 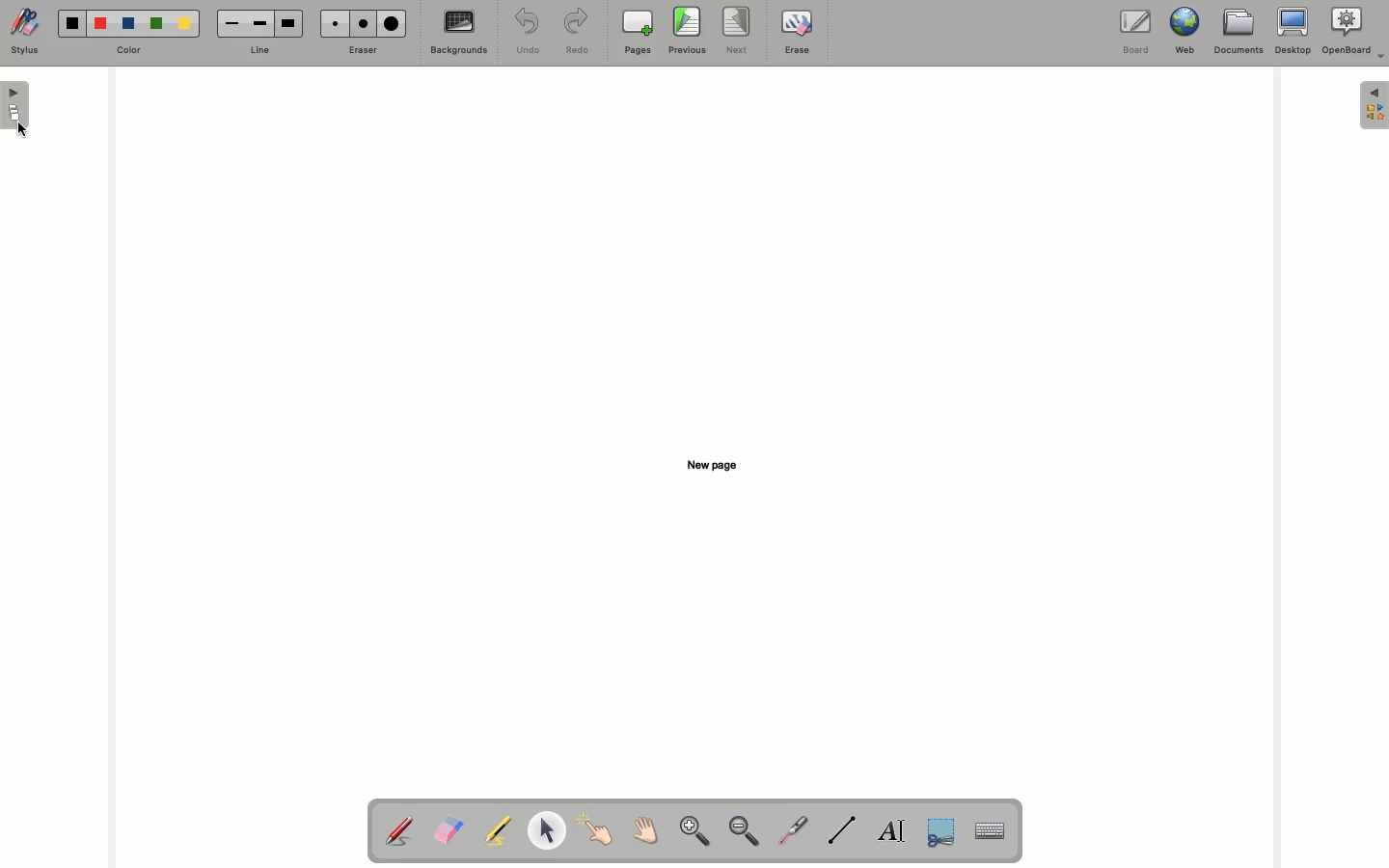 I want to click on Erase, so click(x=797, y=32).